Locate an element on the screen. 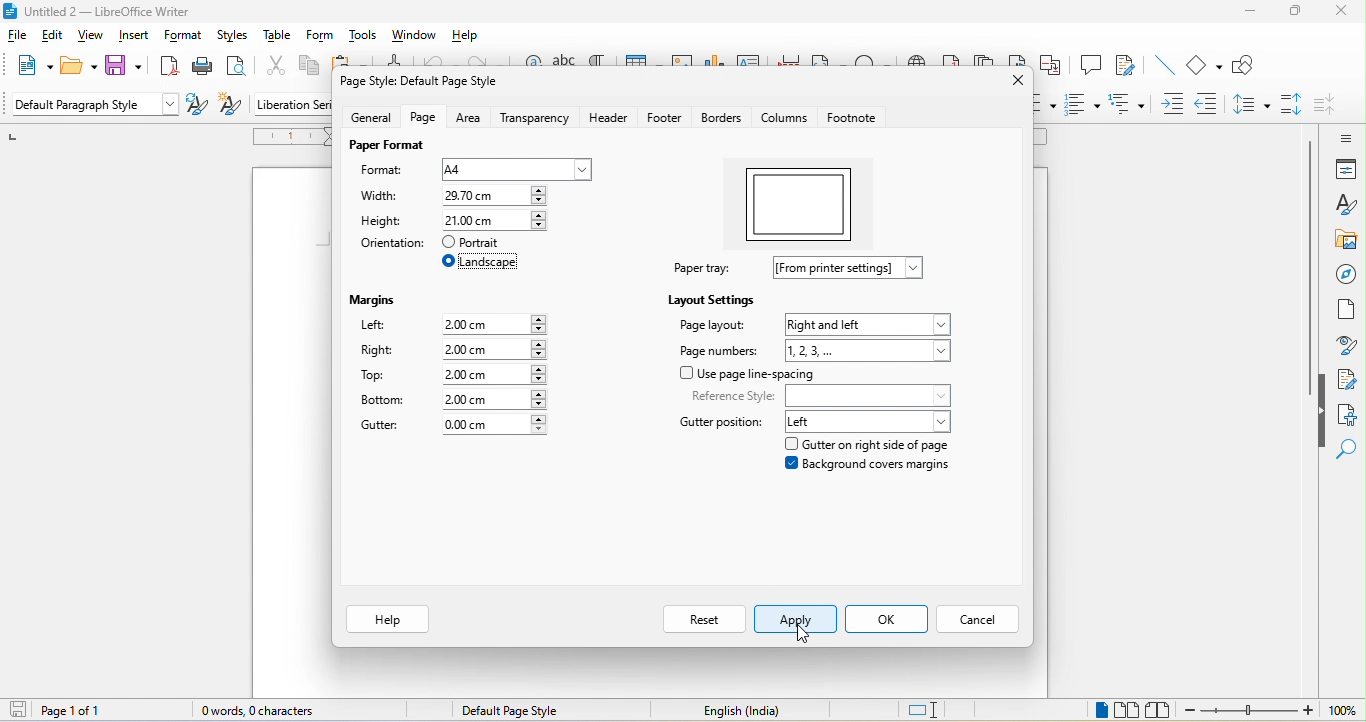  multiple view is located at coordinates (1128, 710).